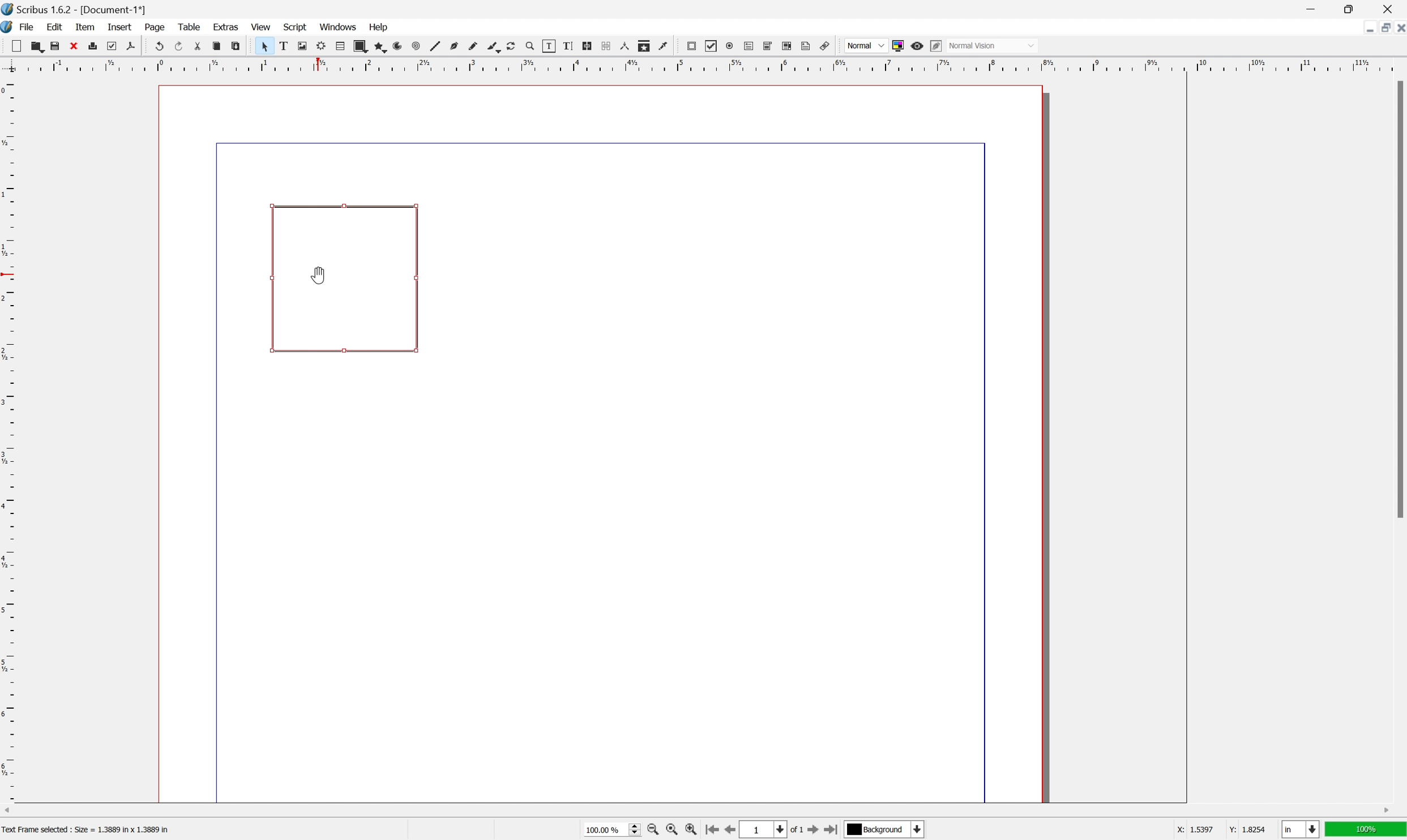 The image size is (1407, 840). Describe the element at coordinates (55, 46) in the screenshot. I see `save` at that location.